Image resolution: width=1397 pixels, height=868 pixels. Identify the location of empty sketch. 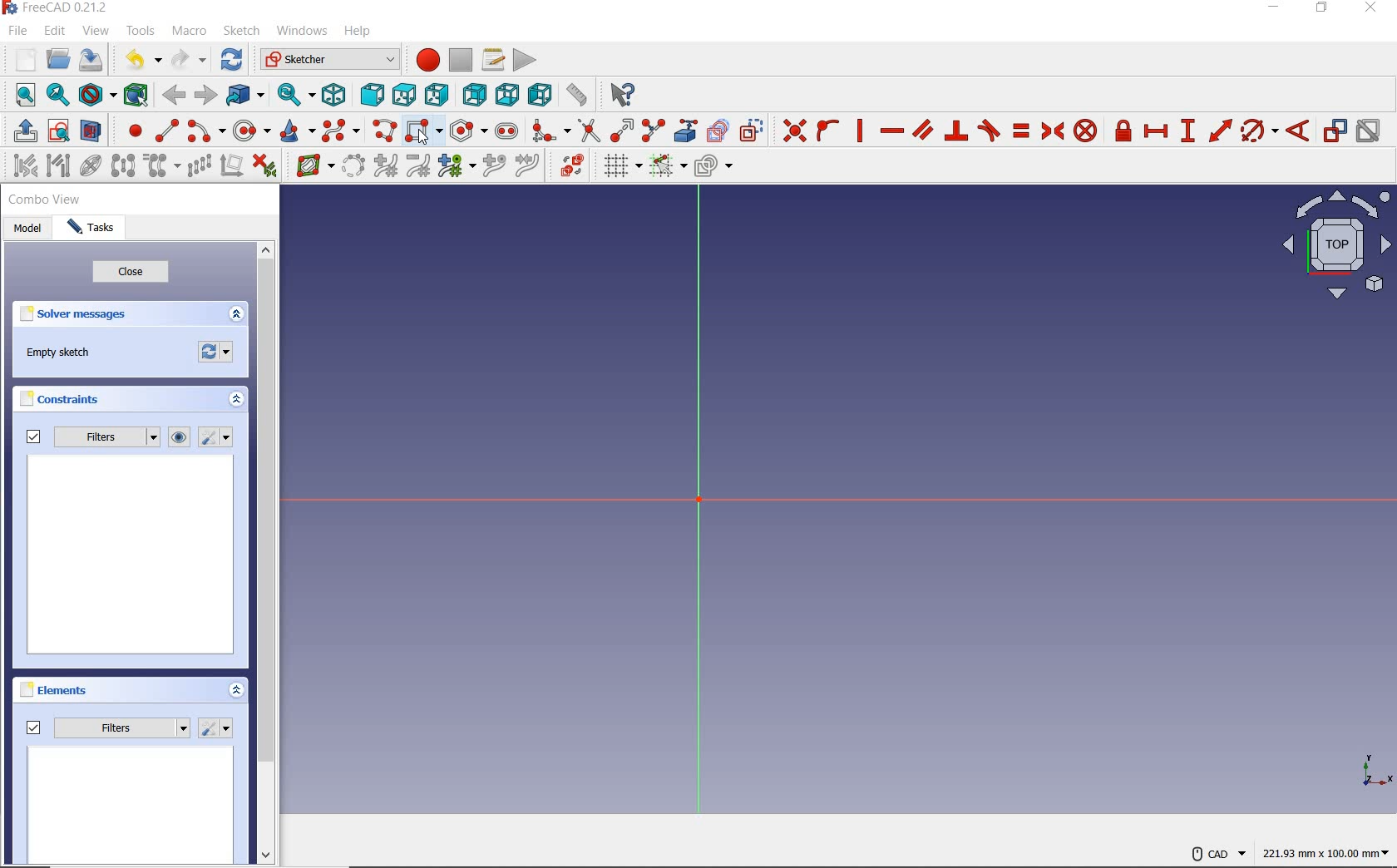
(59, 353).